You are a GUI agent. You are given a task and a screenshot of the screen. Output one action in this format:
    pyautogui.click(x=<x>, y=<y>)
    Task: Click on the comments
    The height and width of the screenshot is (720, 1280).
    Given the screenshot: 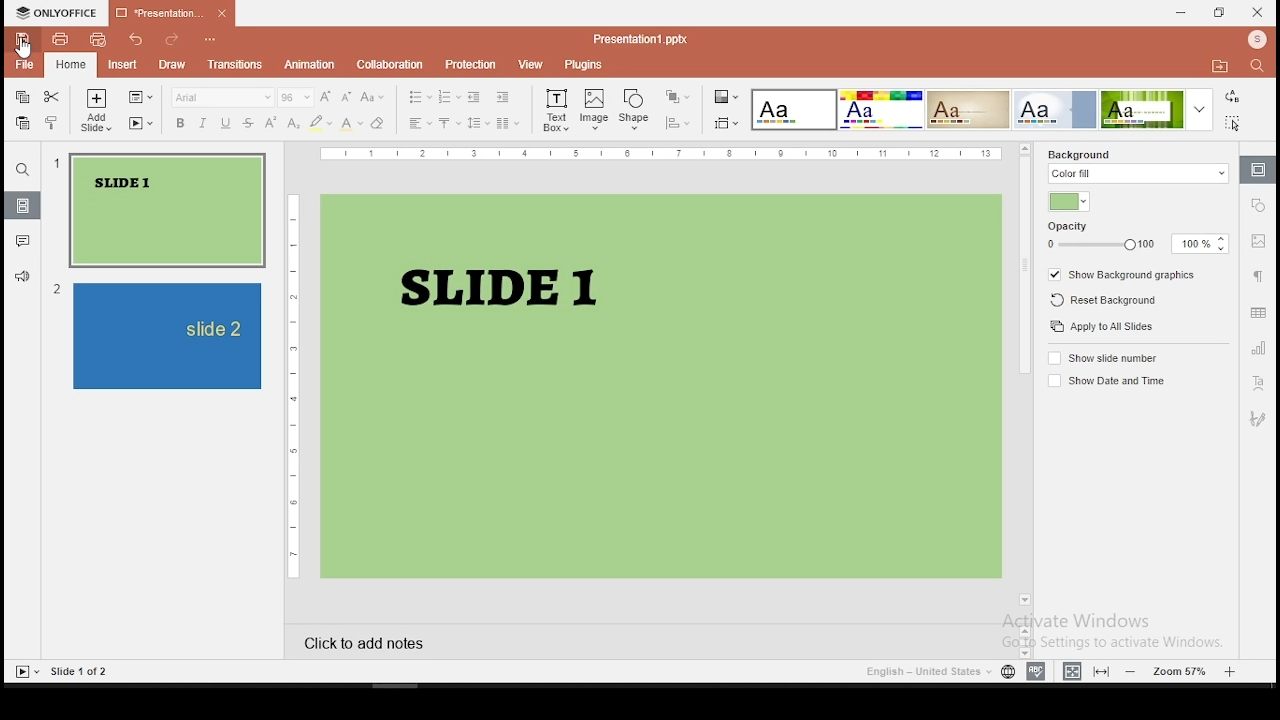 What is the action you would take?
    pyautogui.click(x=23, y=241)
    